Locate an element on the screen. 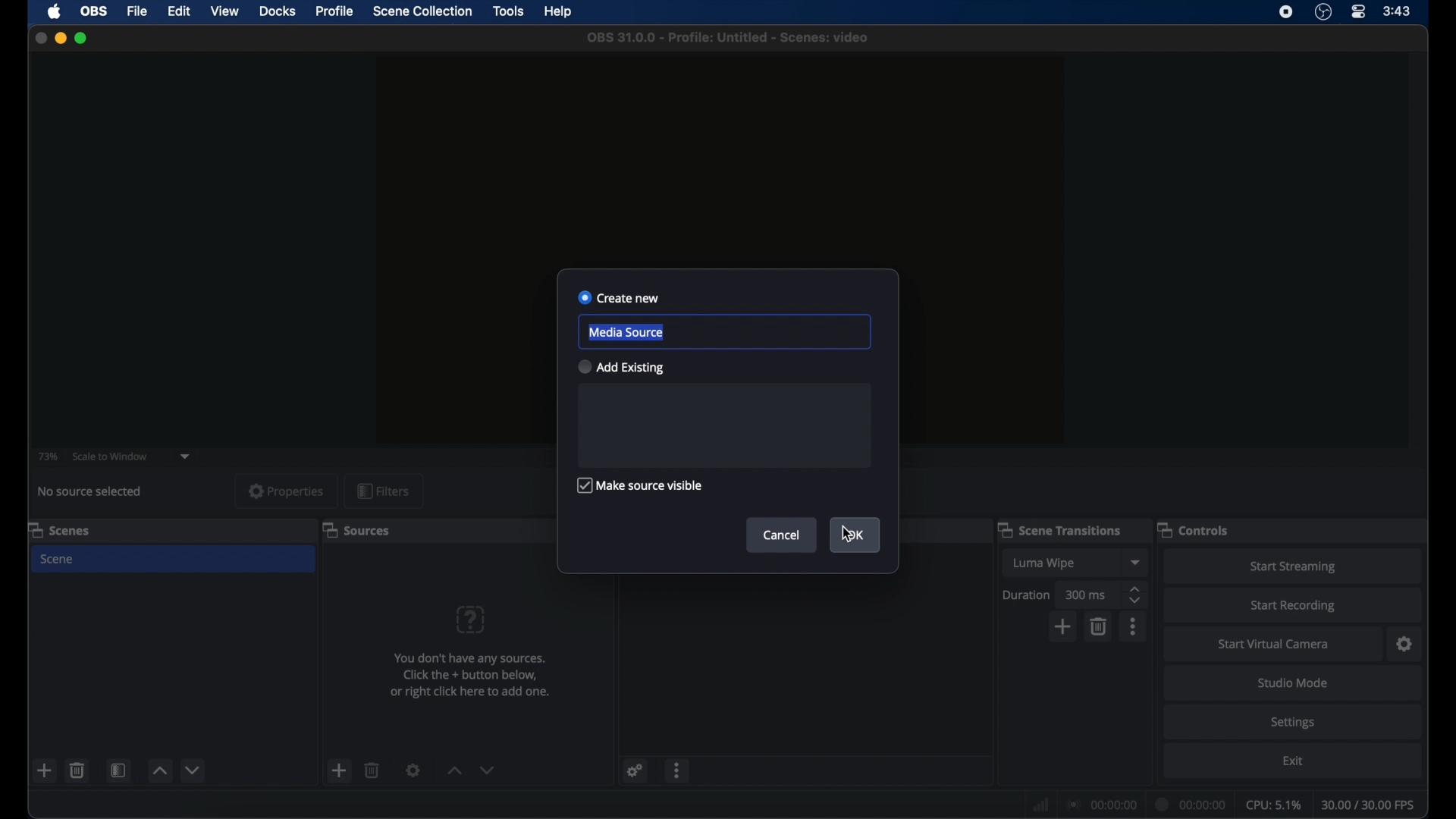 This screenshot has width=1456, height=819. start virtual camera is located at coordinates (1272, 645).